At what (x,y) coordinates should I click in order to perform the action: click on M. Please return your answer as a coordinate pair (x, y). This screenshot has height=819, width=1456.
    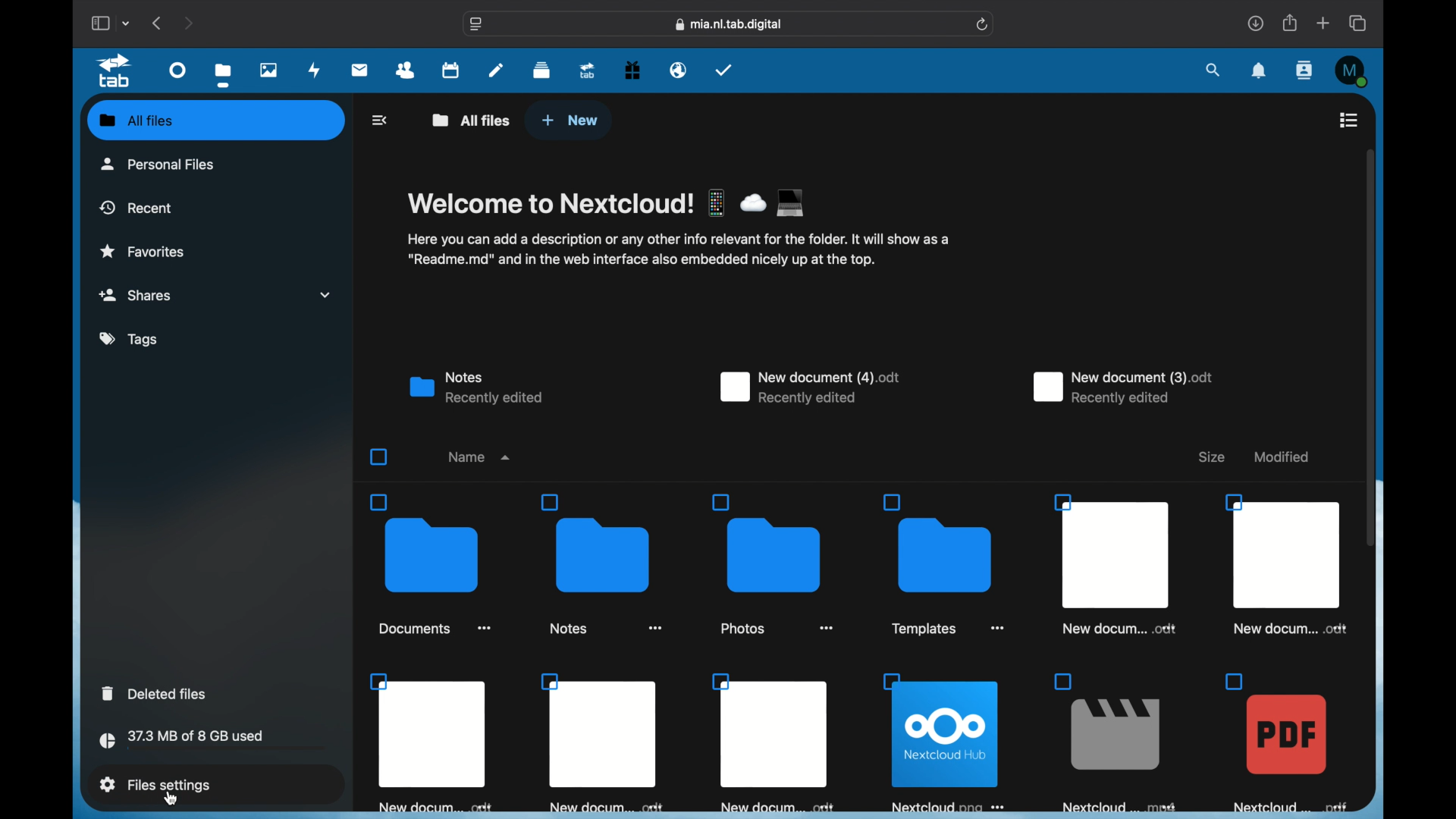
    Looking at the image, I should click on (1352, 72).